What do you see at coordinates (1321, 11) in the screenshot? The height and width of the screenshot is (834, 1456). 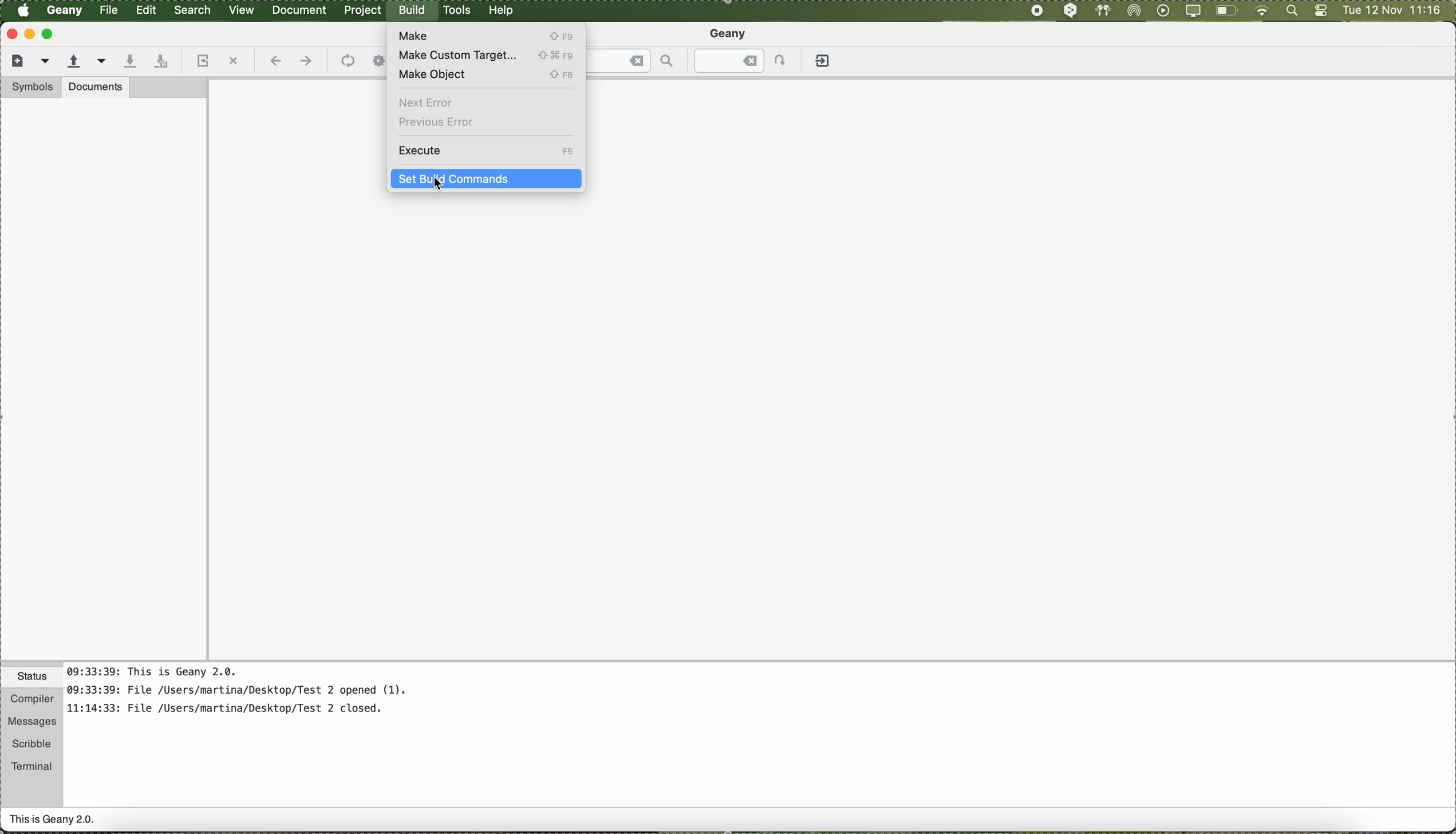 I see `controls` at bounding box center [1321, 11].